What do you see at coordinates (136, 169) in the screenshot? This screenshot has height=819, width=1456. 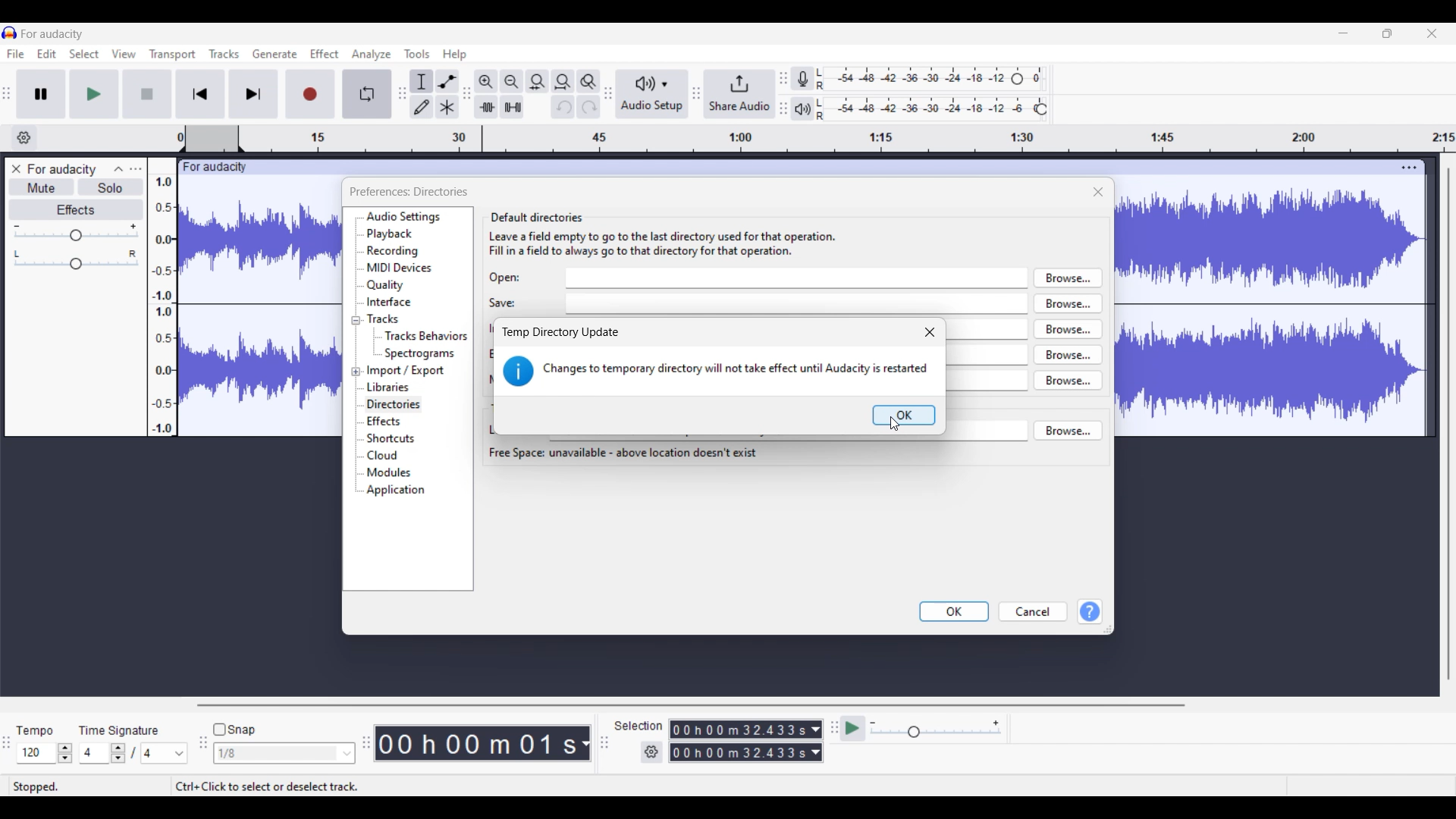 I see `Open menu` at bounding box center [136, 169].